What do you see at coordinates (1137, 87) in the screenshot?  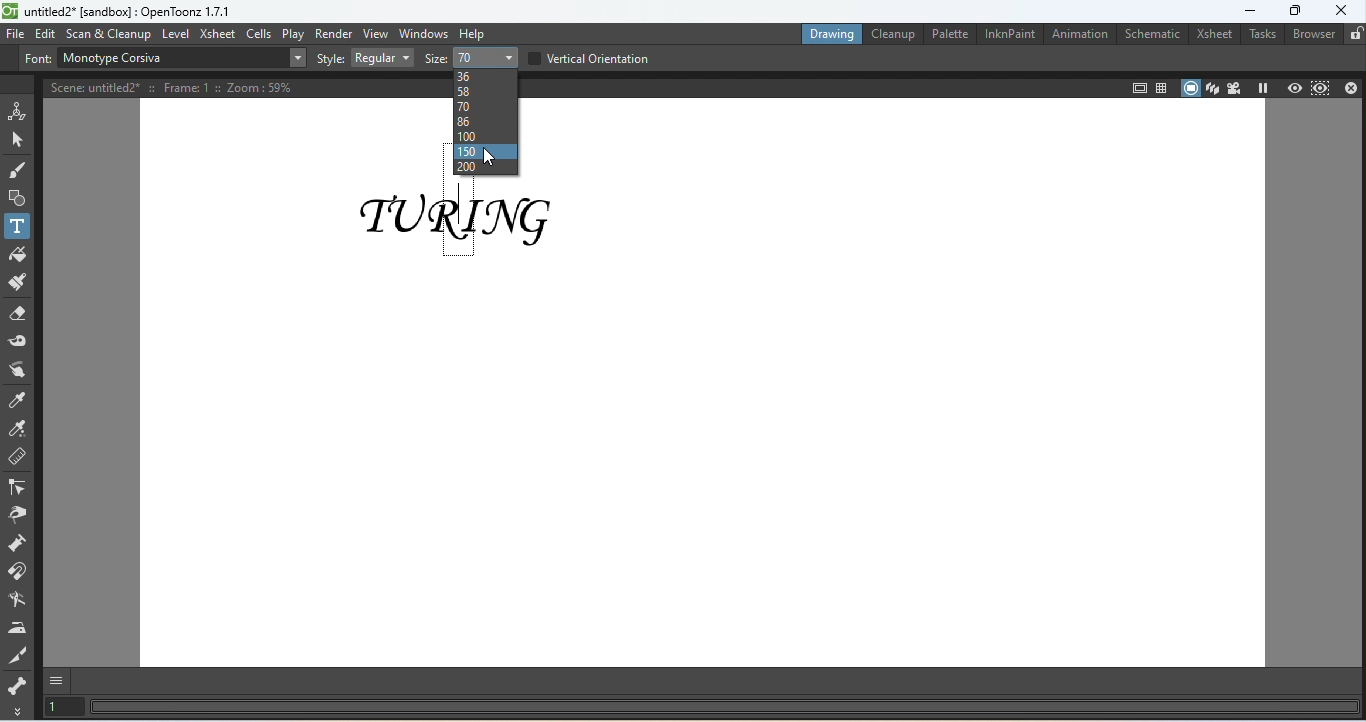 I see `Field guide` at bounding box center [1137, 87].